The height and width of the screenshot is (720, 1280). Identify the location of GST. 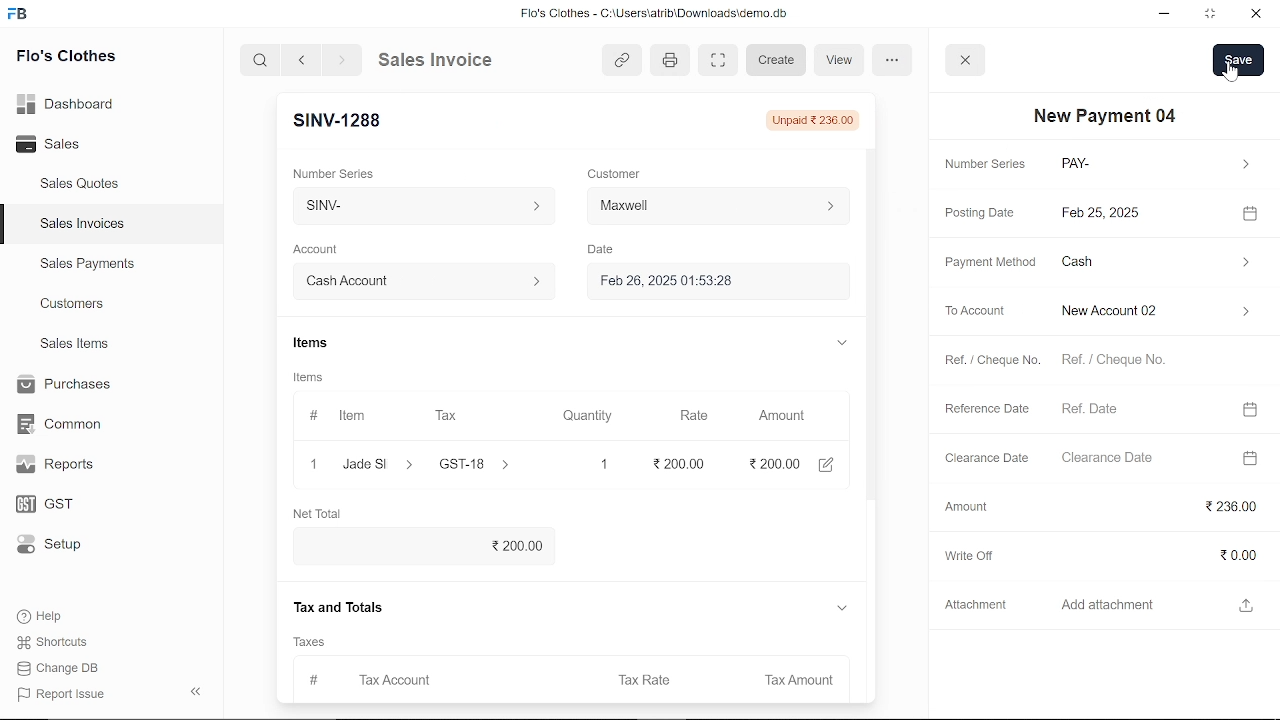
(62, 505).